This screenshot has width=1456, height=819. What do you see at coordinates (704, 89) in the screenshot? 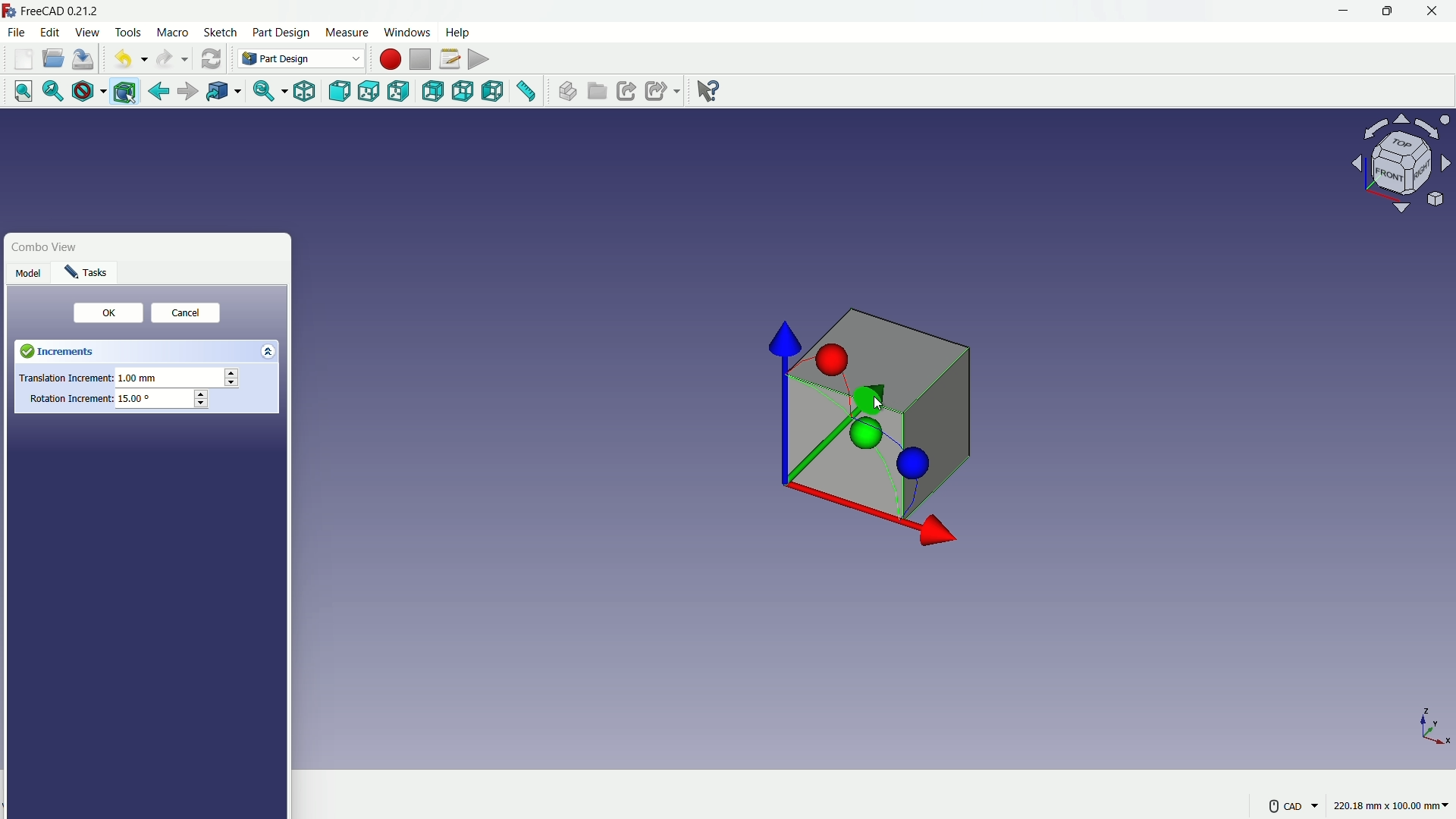
I see `help extension` at bounding box center [704, 89].